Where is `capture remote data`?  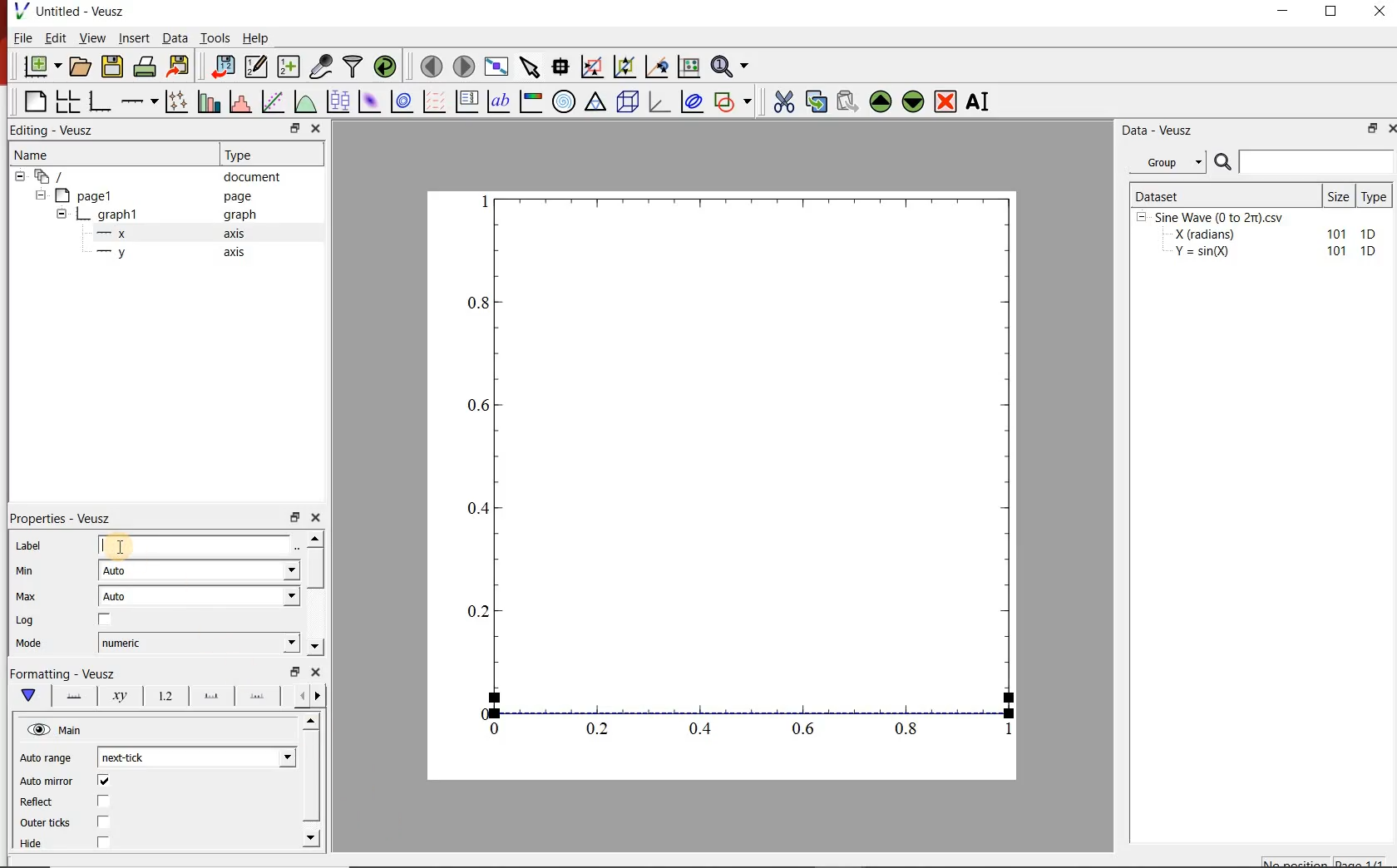
capture remote data is located at coordinates (323, 67).